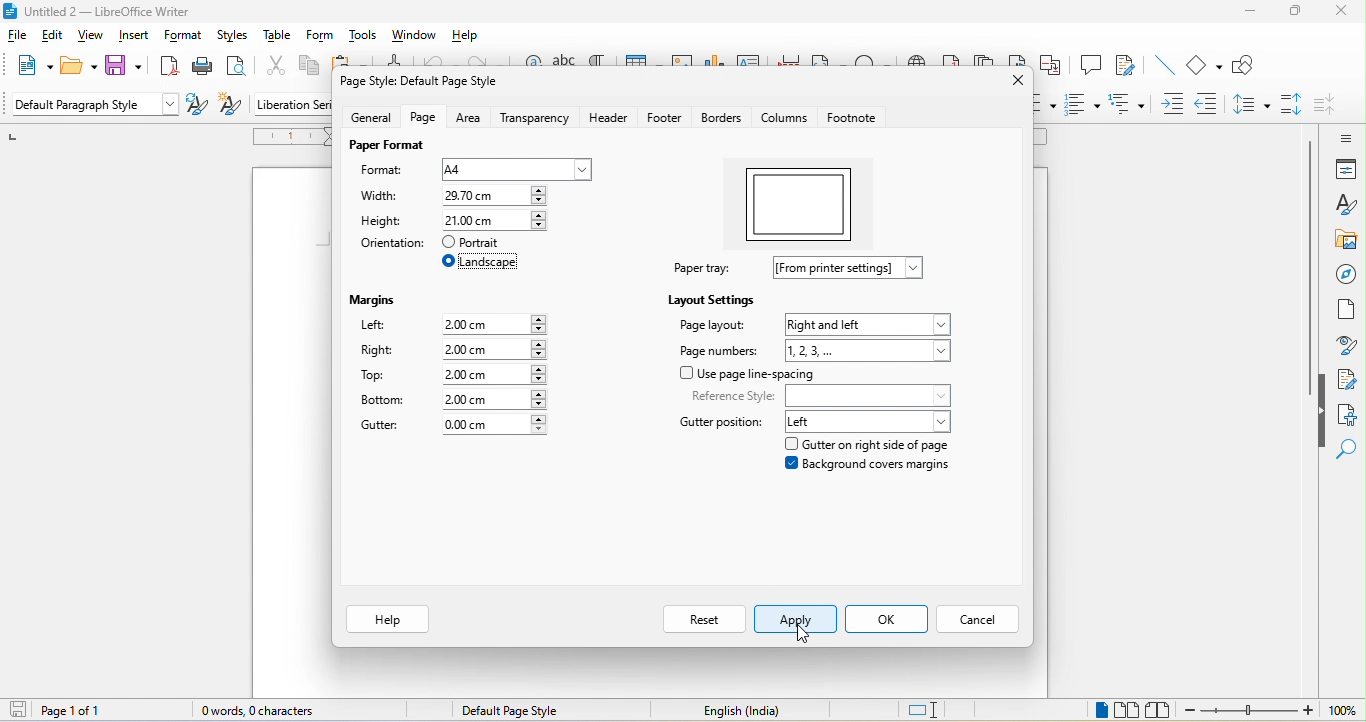 The height and width of the screenshot is (722, 1366). What do you see at coordinates (1322, 411) in the screenshot?
I see `hide` at bounding box center [1322, 411].